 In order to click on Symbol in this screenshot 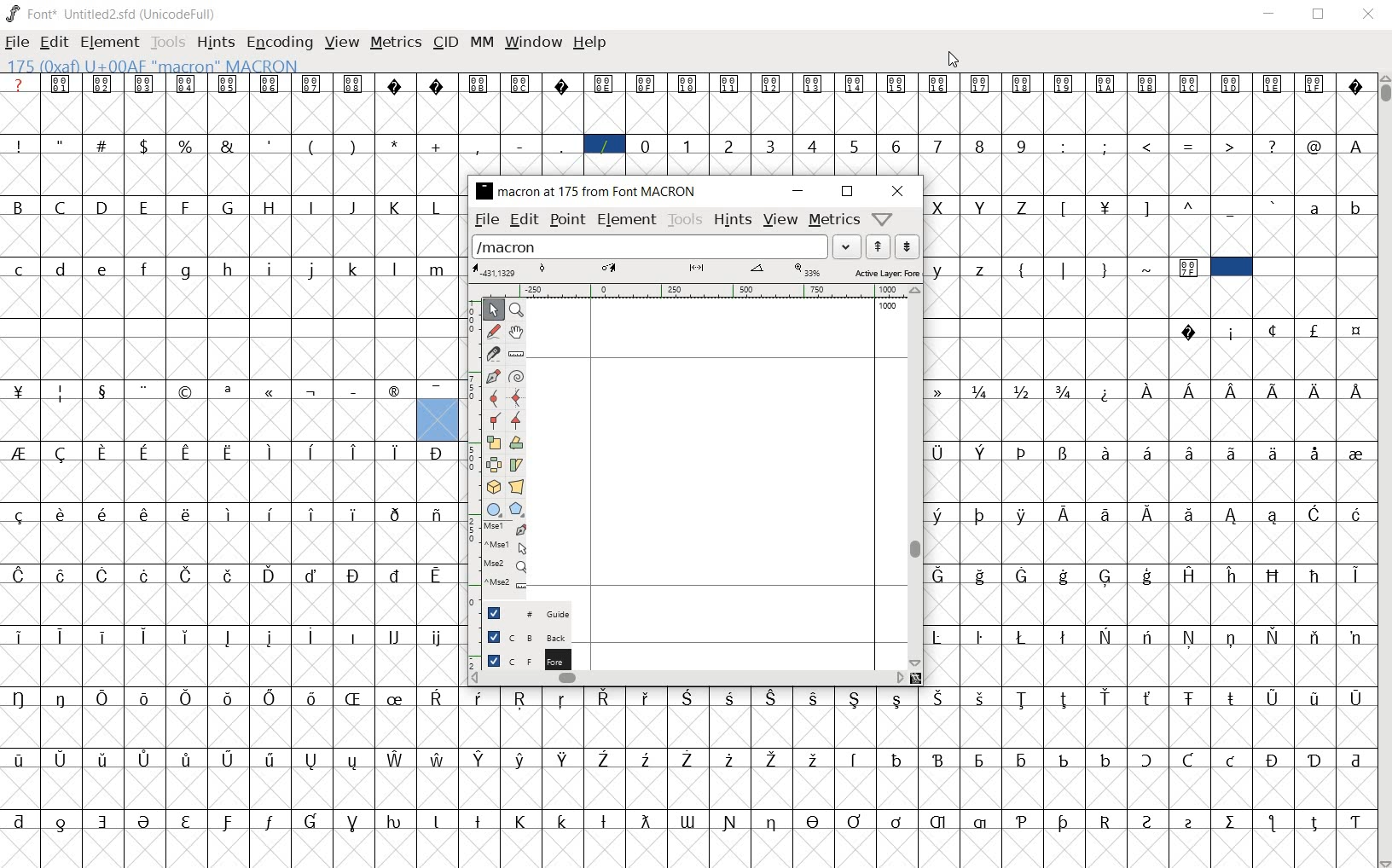, I will do `click(564, 698)`.